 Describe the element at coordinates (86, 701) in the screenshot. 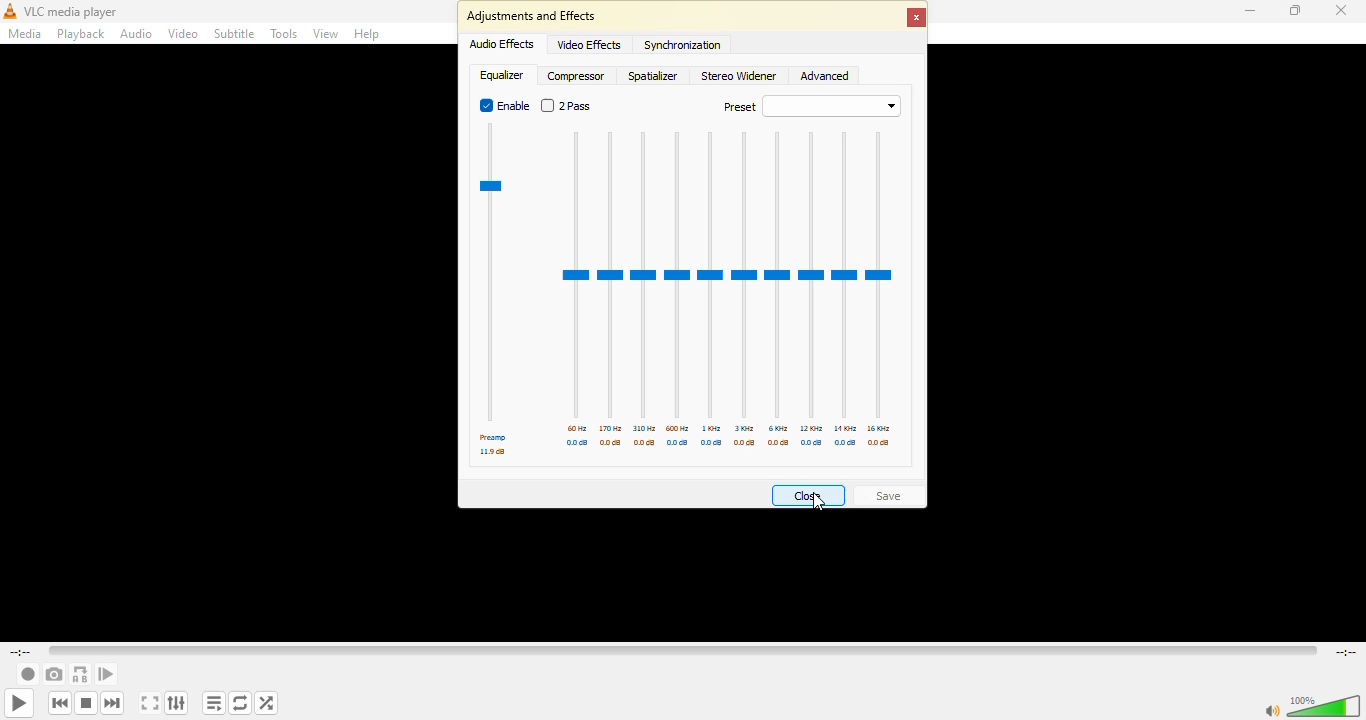

I see `stop playback` at that location.